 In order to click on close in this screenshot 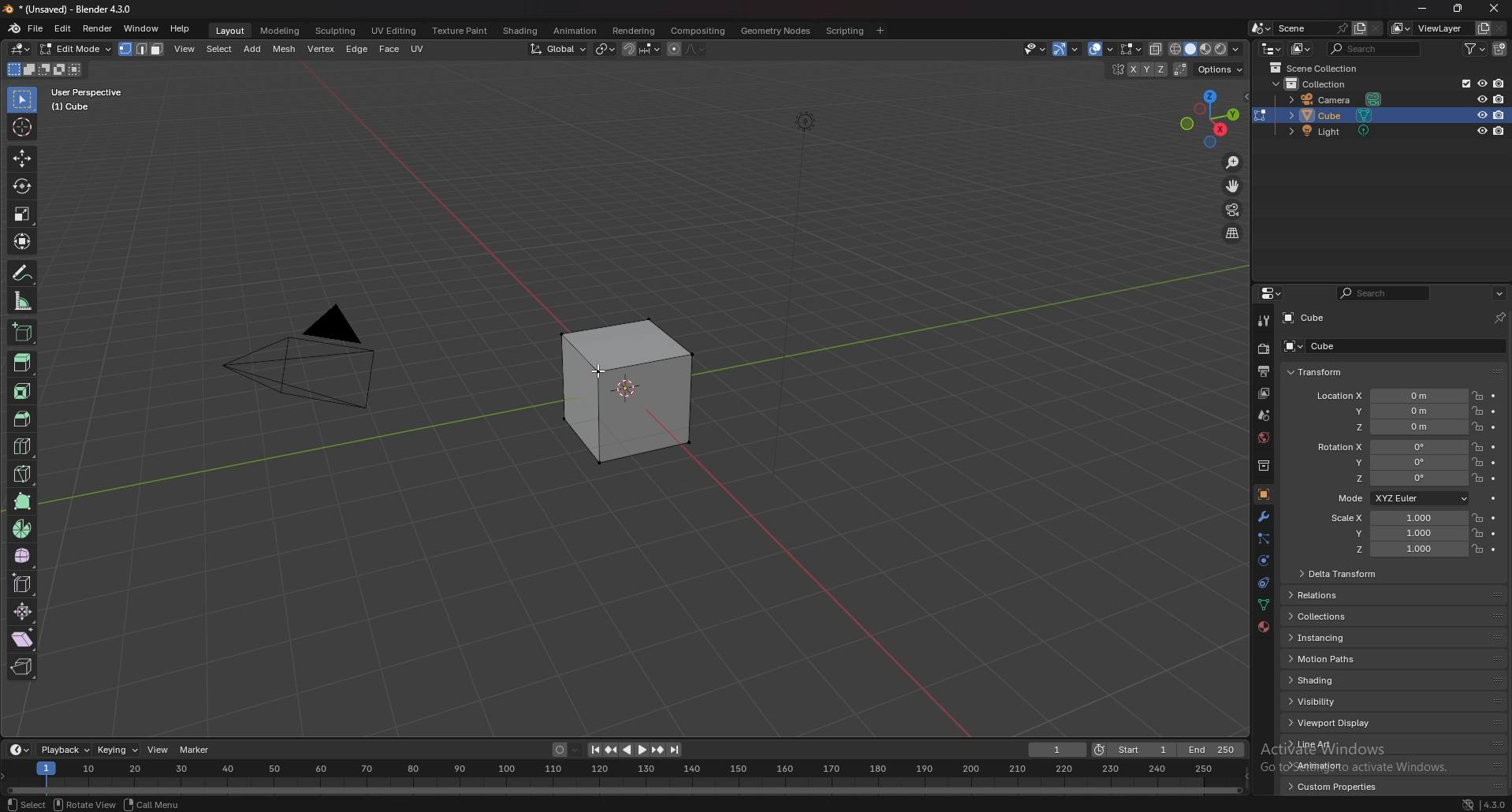, I will do `click(1492, 9)`.